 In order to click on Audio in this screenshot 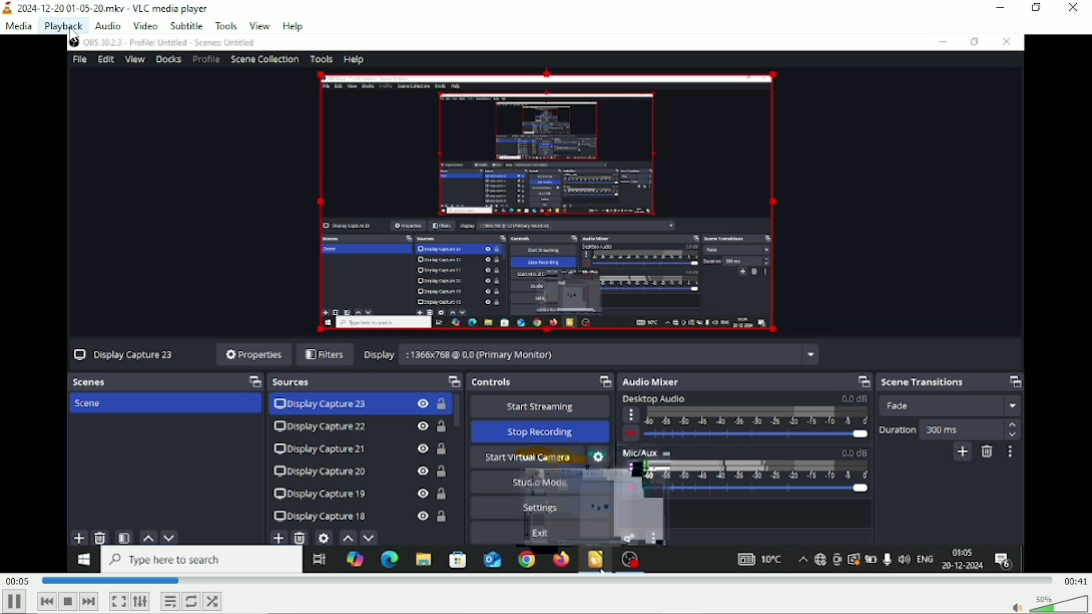, I will do `click(107, 26)`.